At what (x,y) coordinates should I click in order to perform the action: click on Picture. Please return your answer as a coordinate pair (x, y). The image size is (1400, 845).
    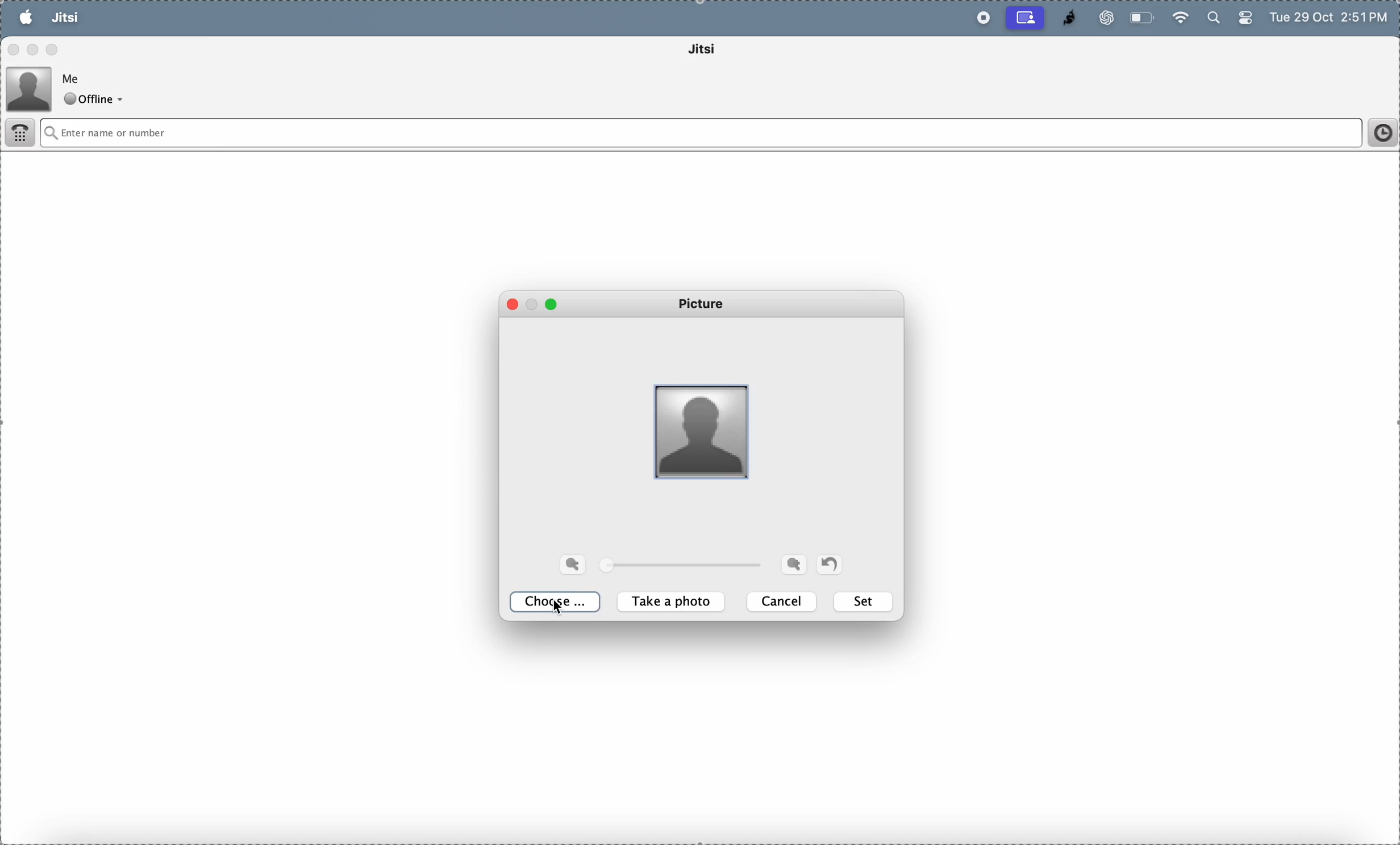
    Looking at the image, I should click on (705, 304).